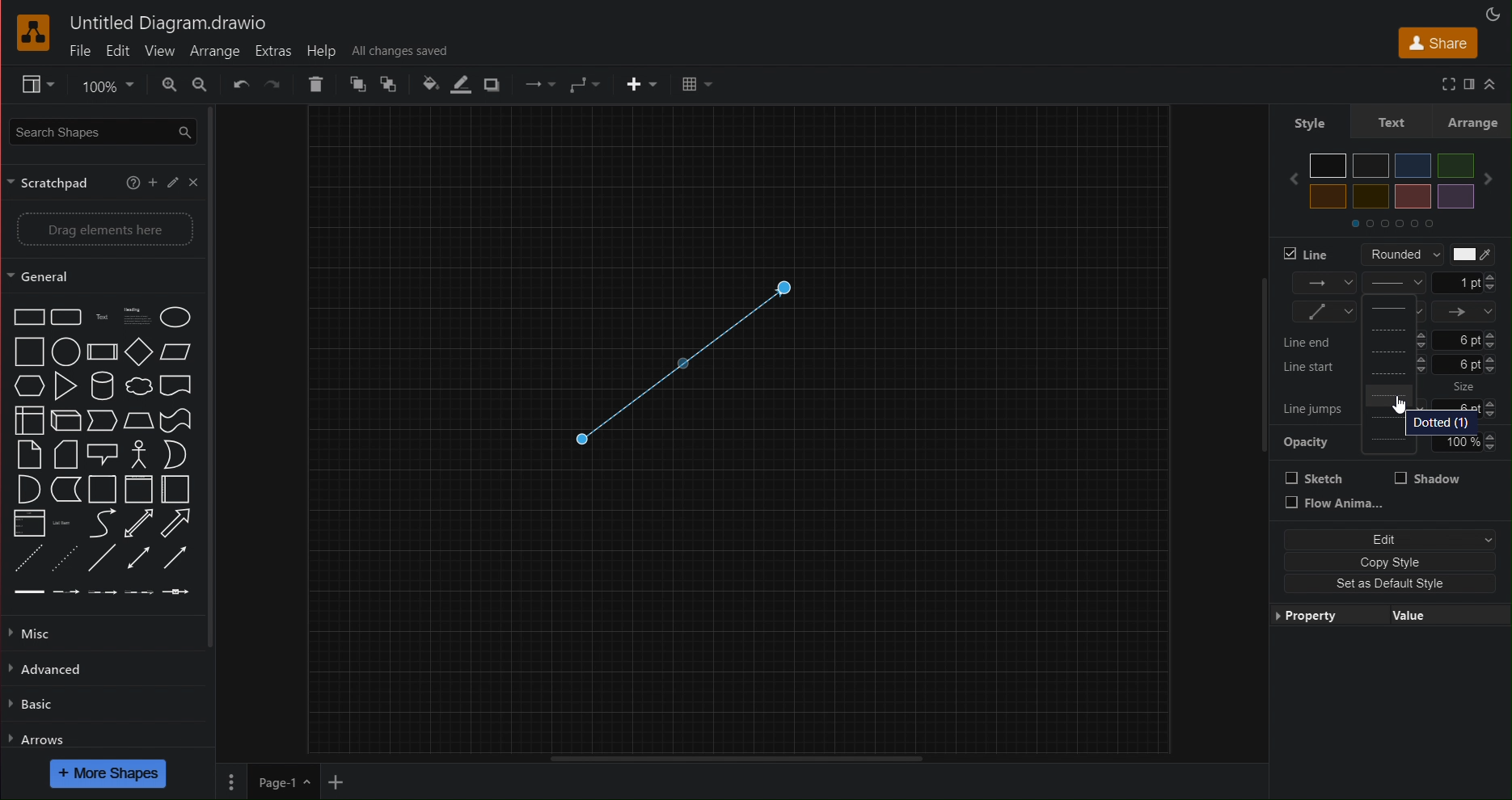  What do you see at coordinates (158, 51) in the screenshot?
I see `View` at bounding box center [158, 51].